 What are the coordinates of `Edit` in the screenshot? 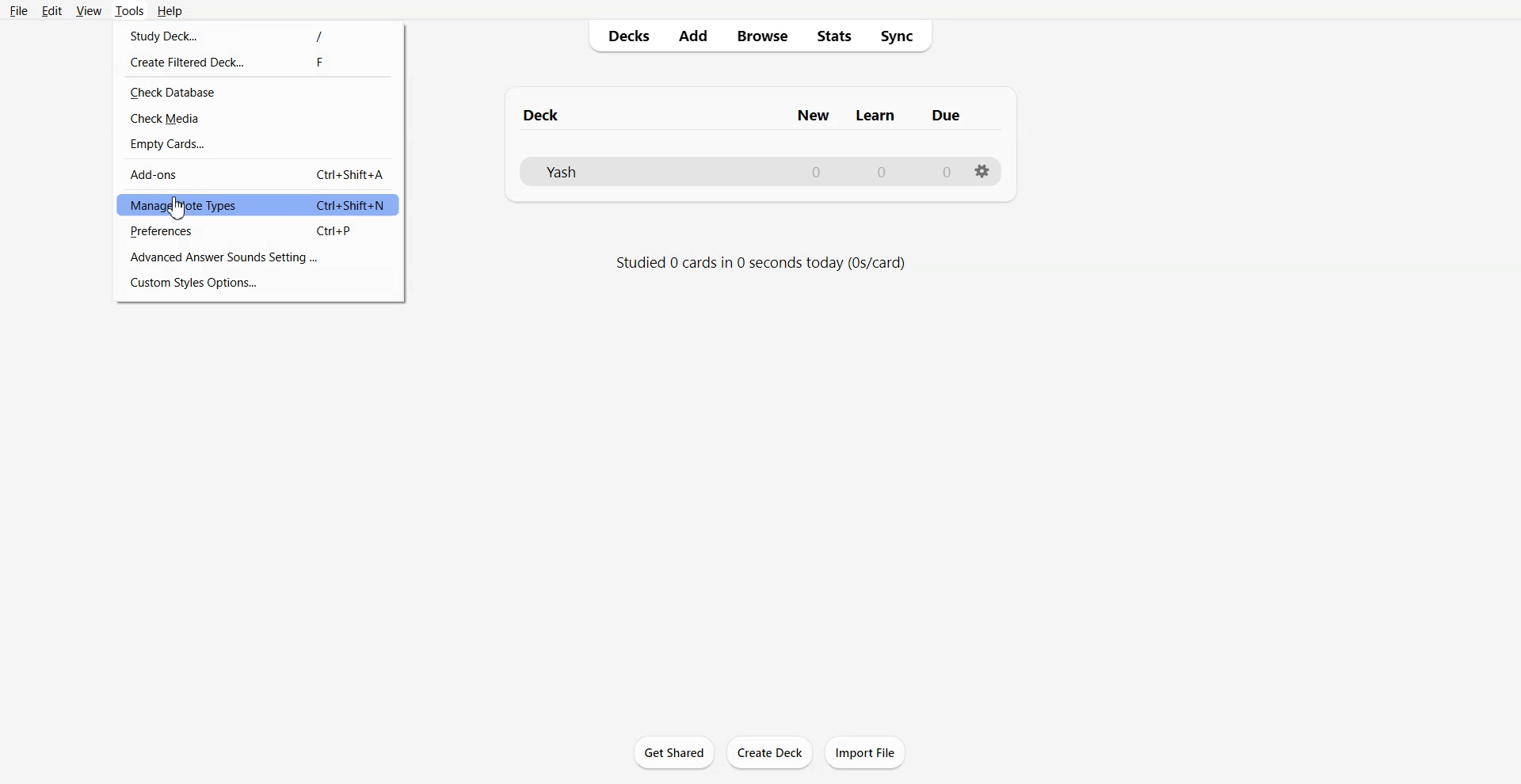 It's located at (51, 11).